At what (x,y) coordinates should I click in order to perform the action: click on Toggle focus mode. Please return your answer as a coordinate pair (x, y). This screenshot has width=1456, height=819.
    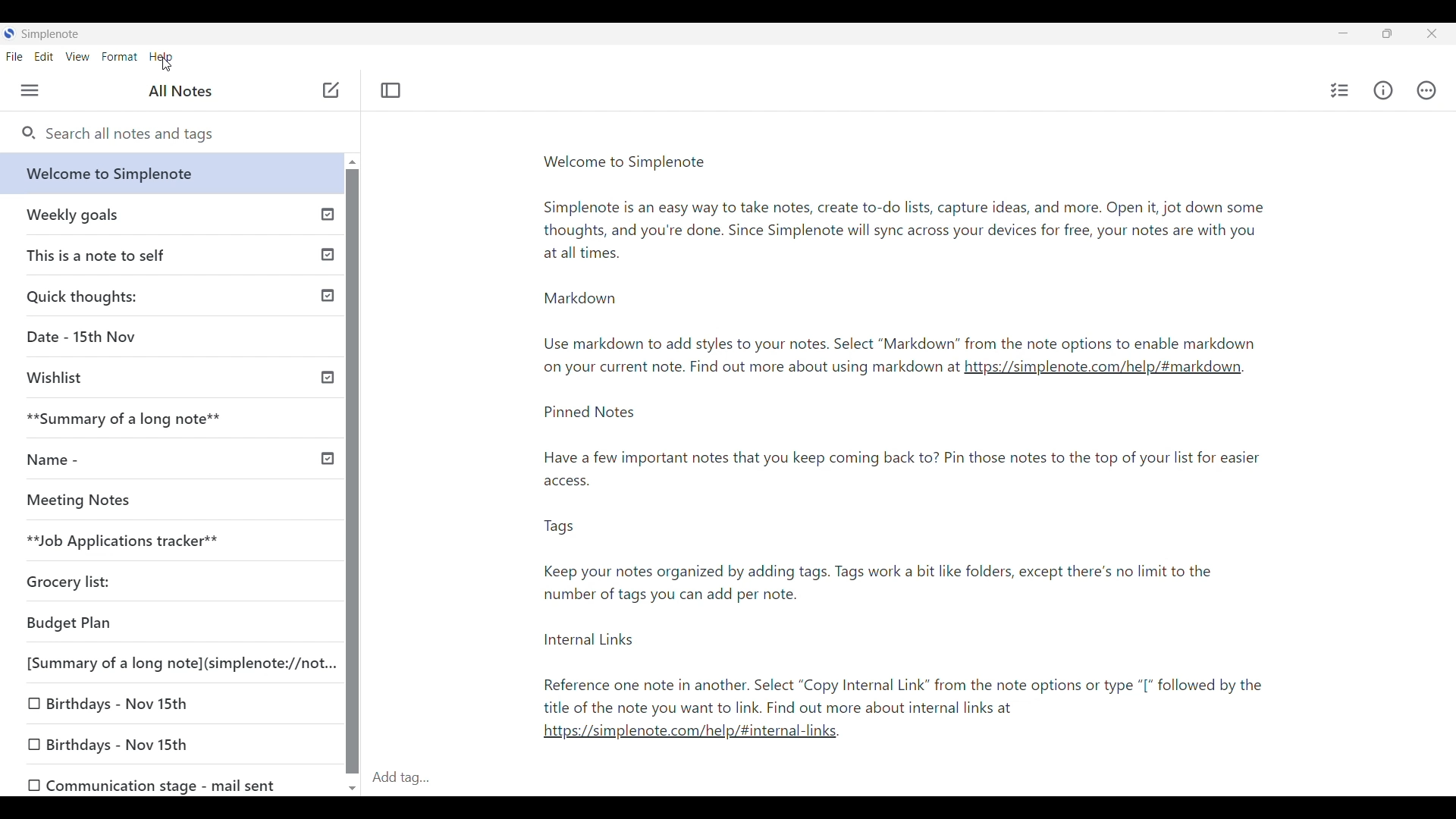
    Looking at the image, I should click on (391, 90).